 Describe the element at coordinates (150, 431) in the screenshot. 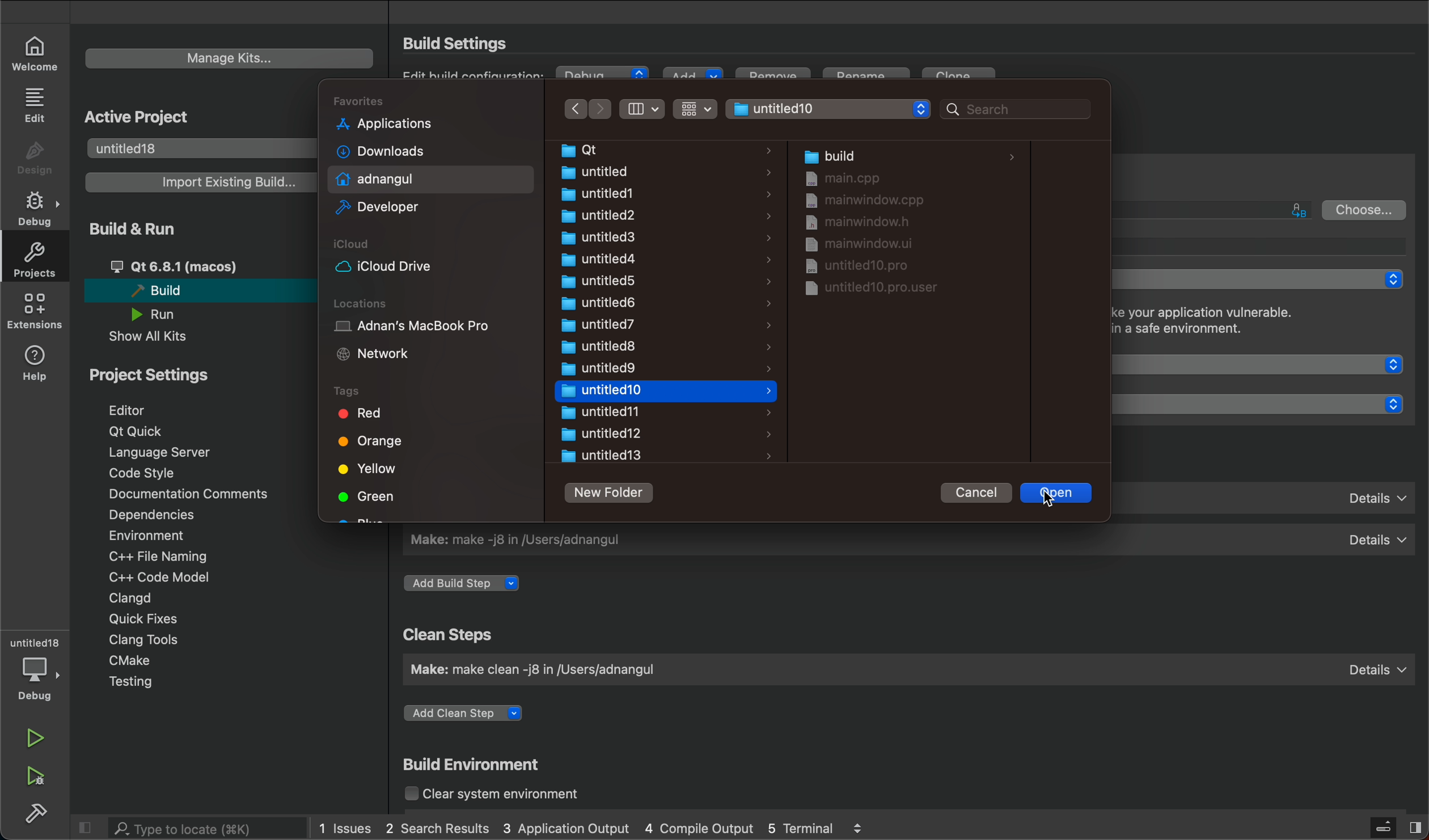

I see `qt quick` at that location.